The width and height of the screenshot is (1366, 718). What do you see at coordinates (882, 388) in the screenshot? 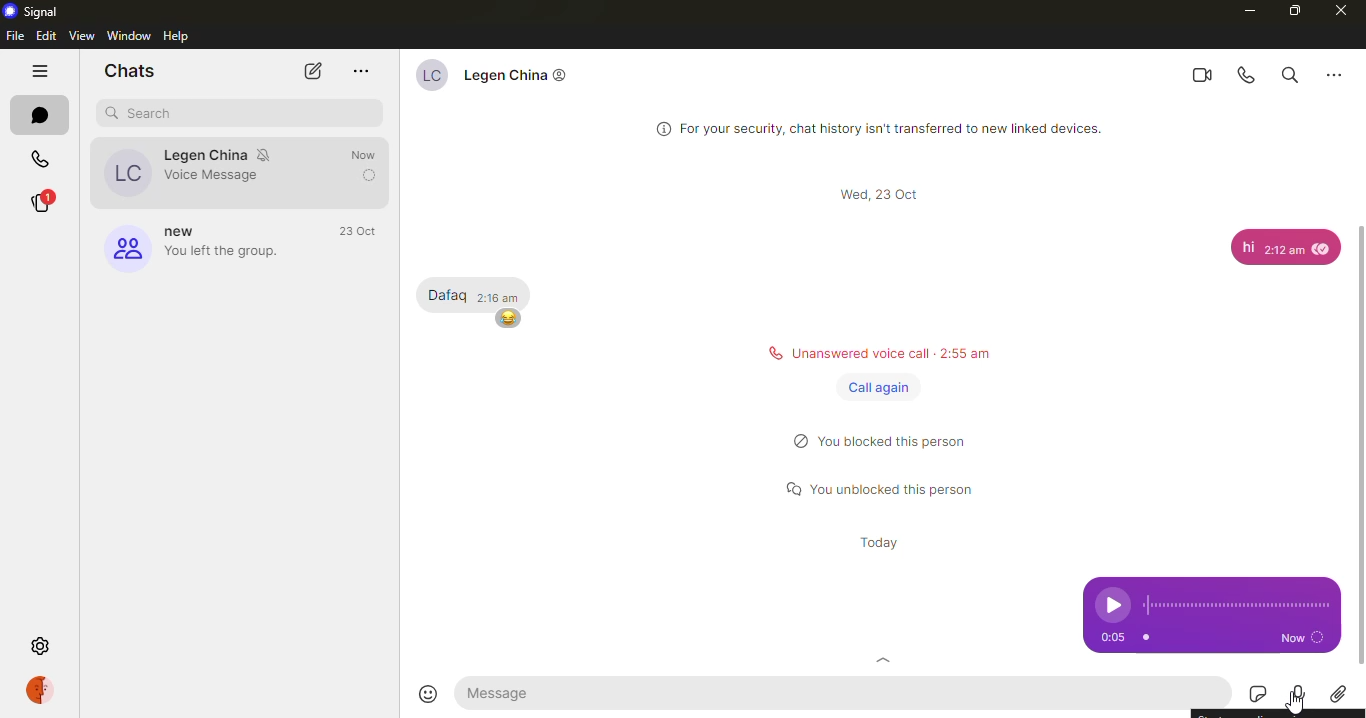
I see `call again` at bounding box center [882, 388].